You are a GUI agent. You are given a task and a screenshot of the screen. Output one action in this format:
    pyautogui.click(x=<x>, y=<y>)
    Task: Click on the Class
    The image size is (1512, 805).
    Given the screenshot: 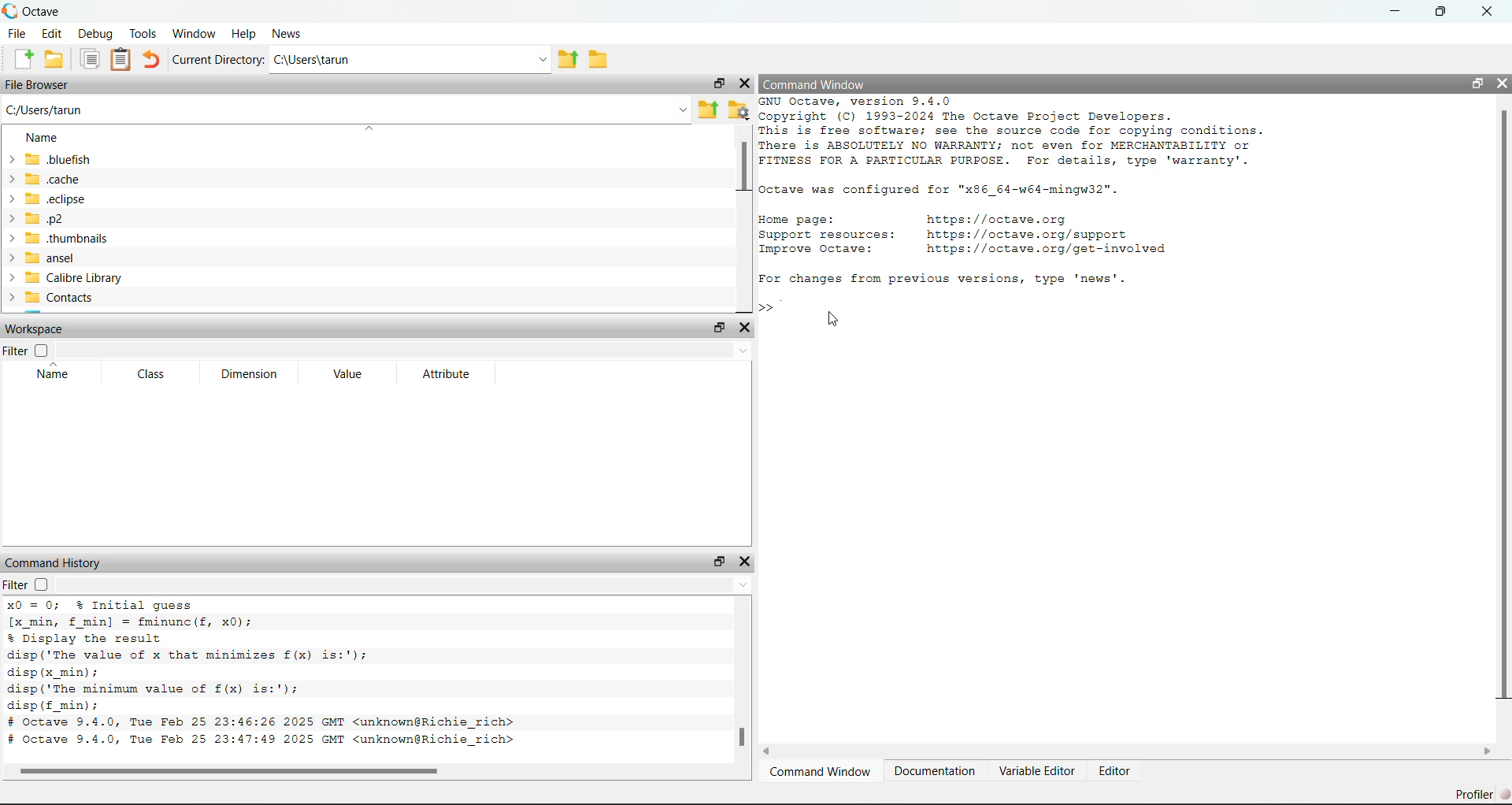 What is the action you would take?
    pyautogui.click(x=150, y=372)
    